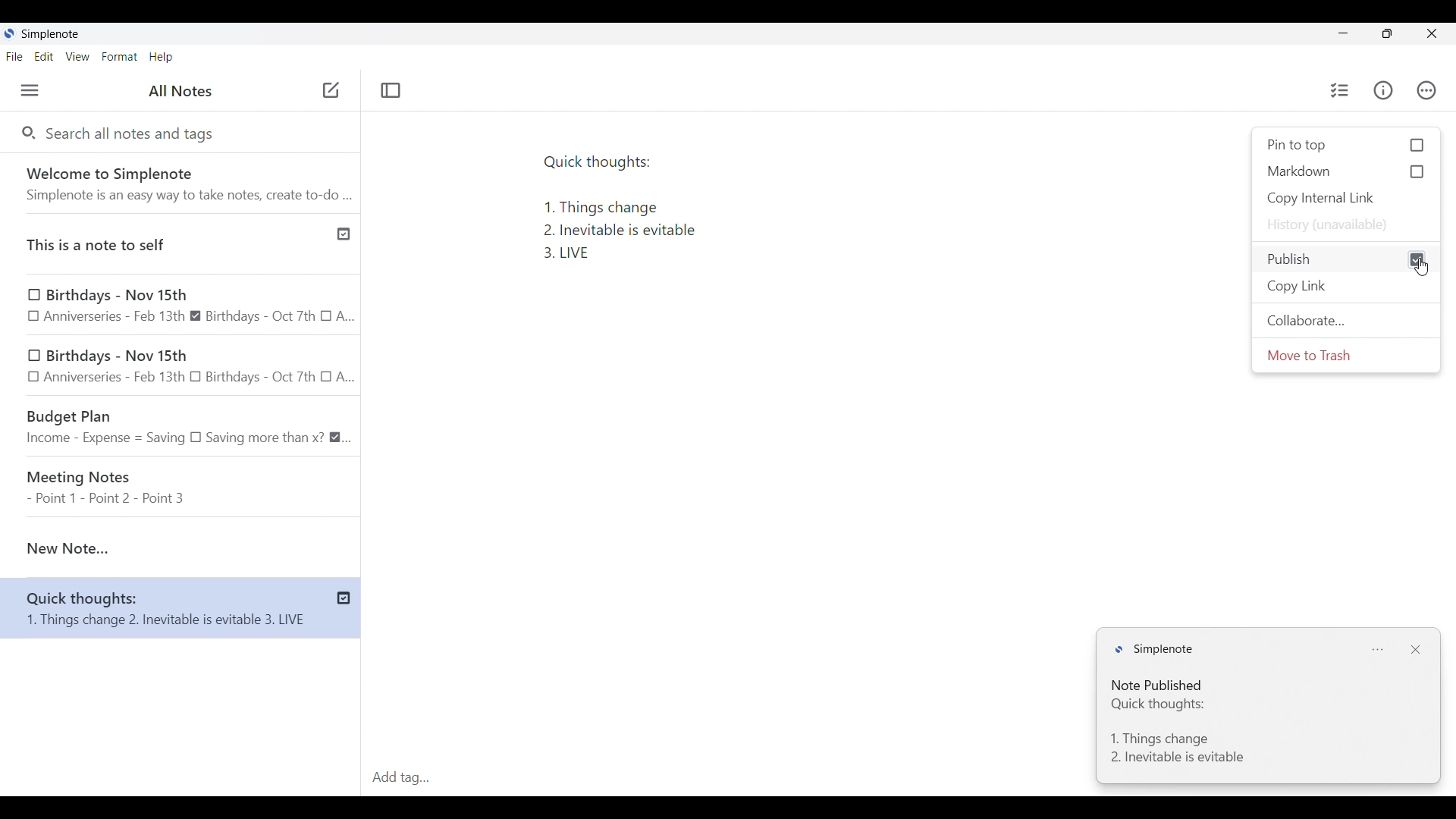  I want to click on Minimize, so click(1343, 33).